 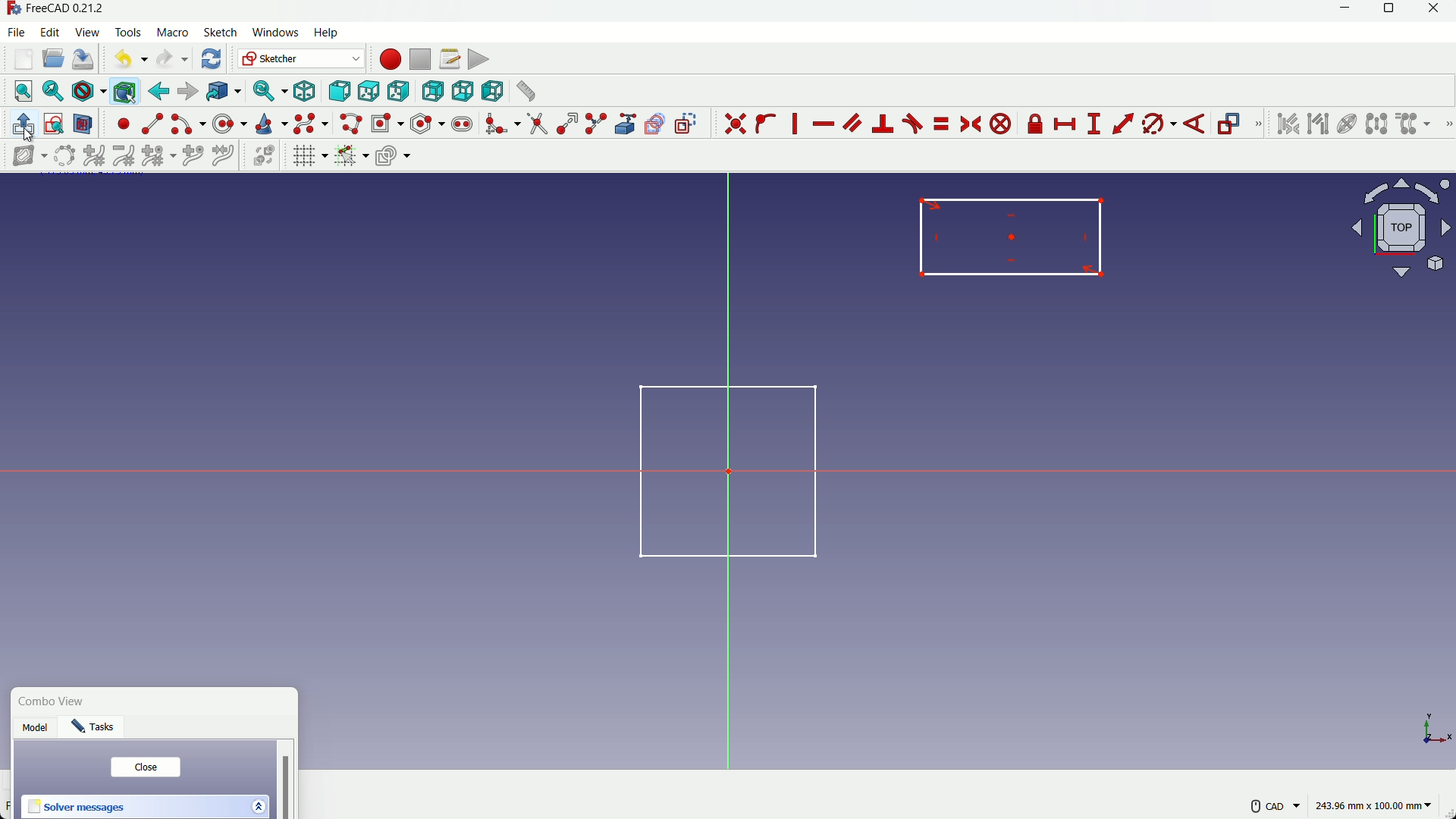 What do you see at coordinates (51, 31) in the screenshot?
I see `edit menu` at bounding box center [51, 31].